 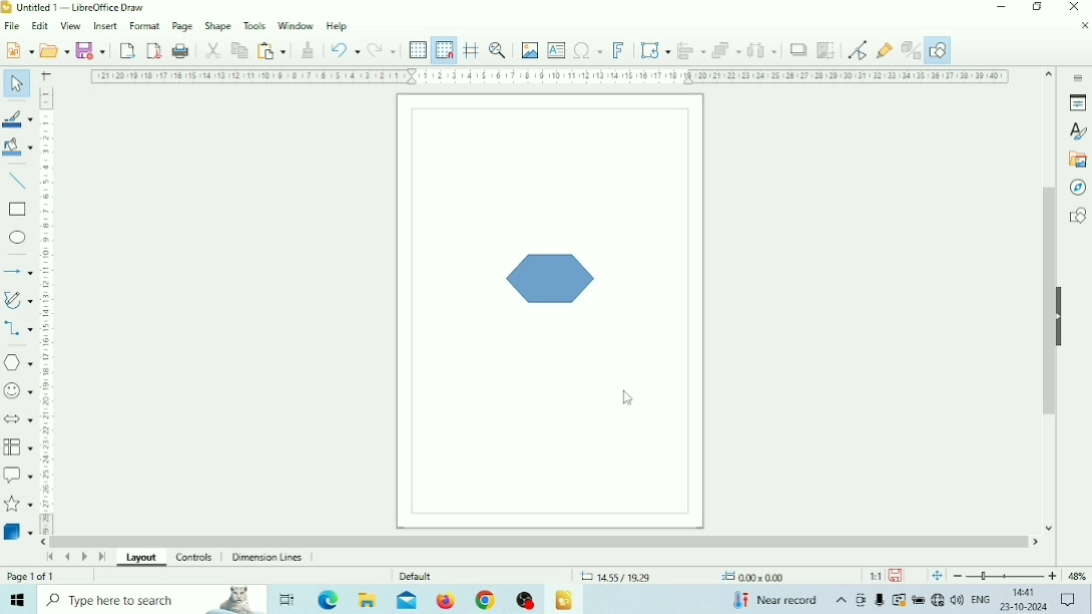 I want to click on Default, so click(x=416, y=576).